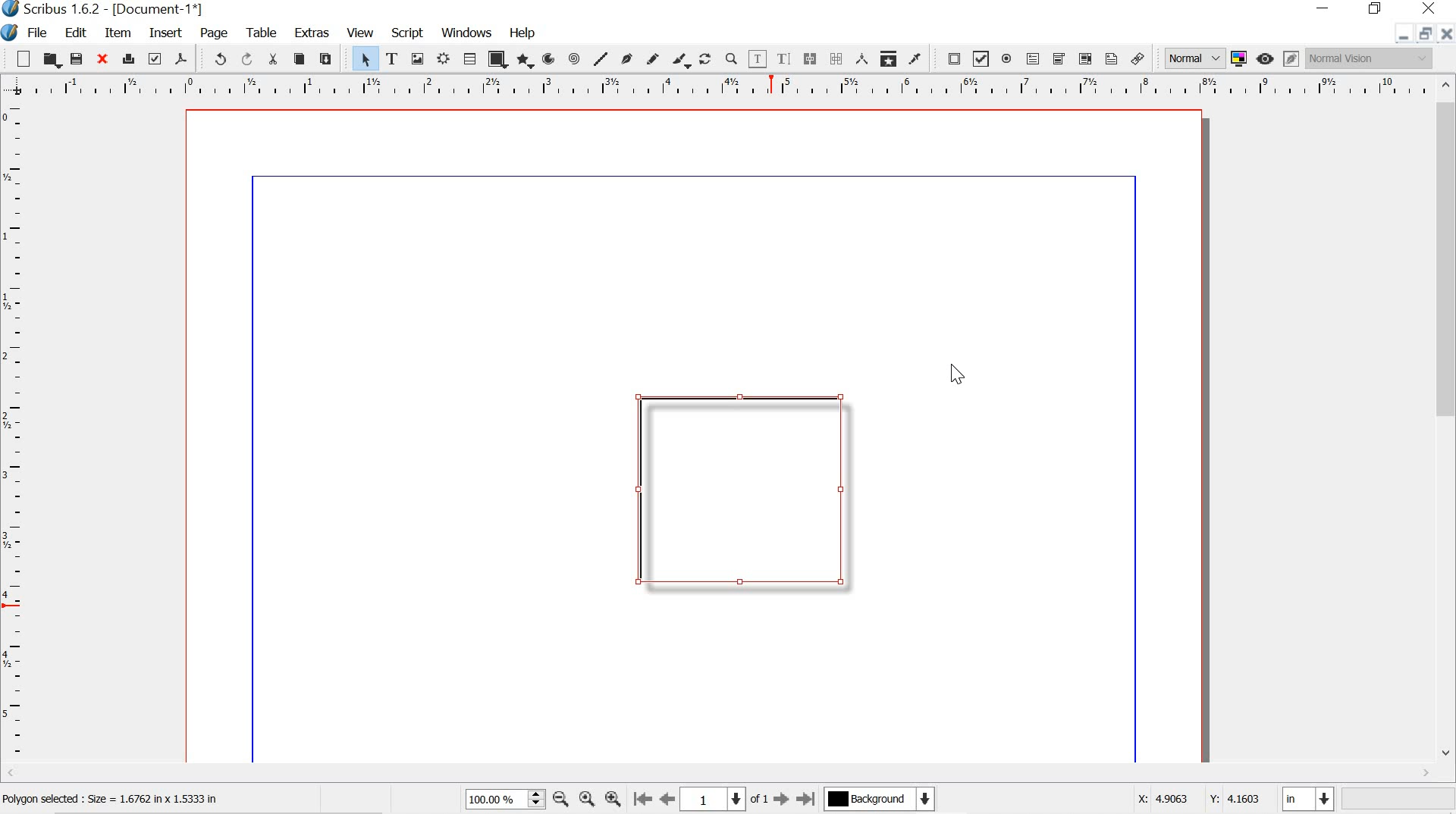 This screenshot has width=1456, height=814. What do you see at coordinates (469, 59) in the screenshot?
I see `table` at bounding box center [469, 59].